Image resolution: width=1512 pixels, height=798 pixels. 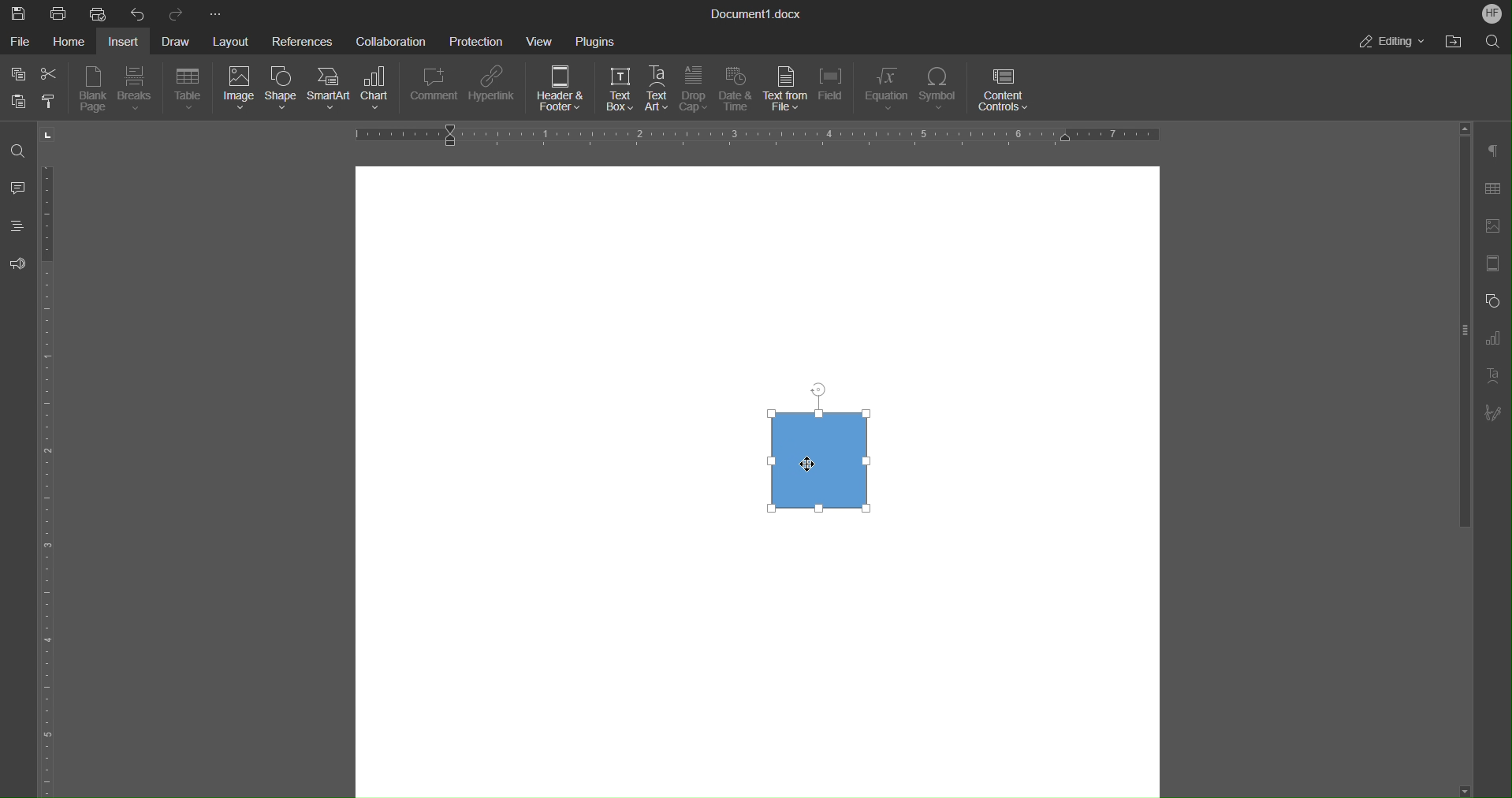 What do you see at coordinates (137, 91) in the screenshot?
I see `Breaks` at bounding box center [137, 91].